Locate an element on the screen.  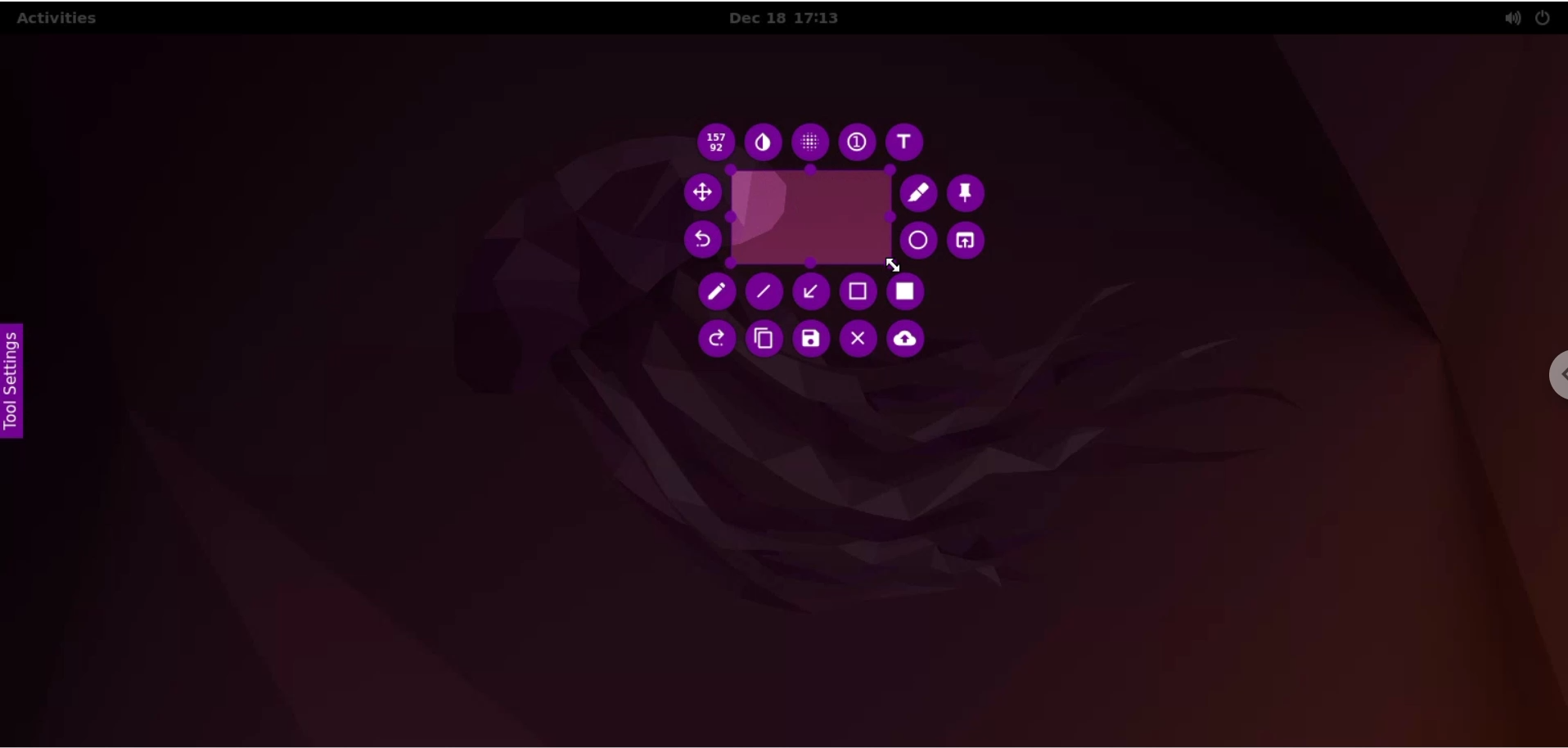
save is located at coordinates (812, 338).